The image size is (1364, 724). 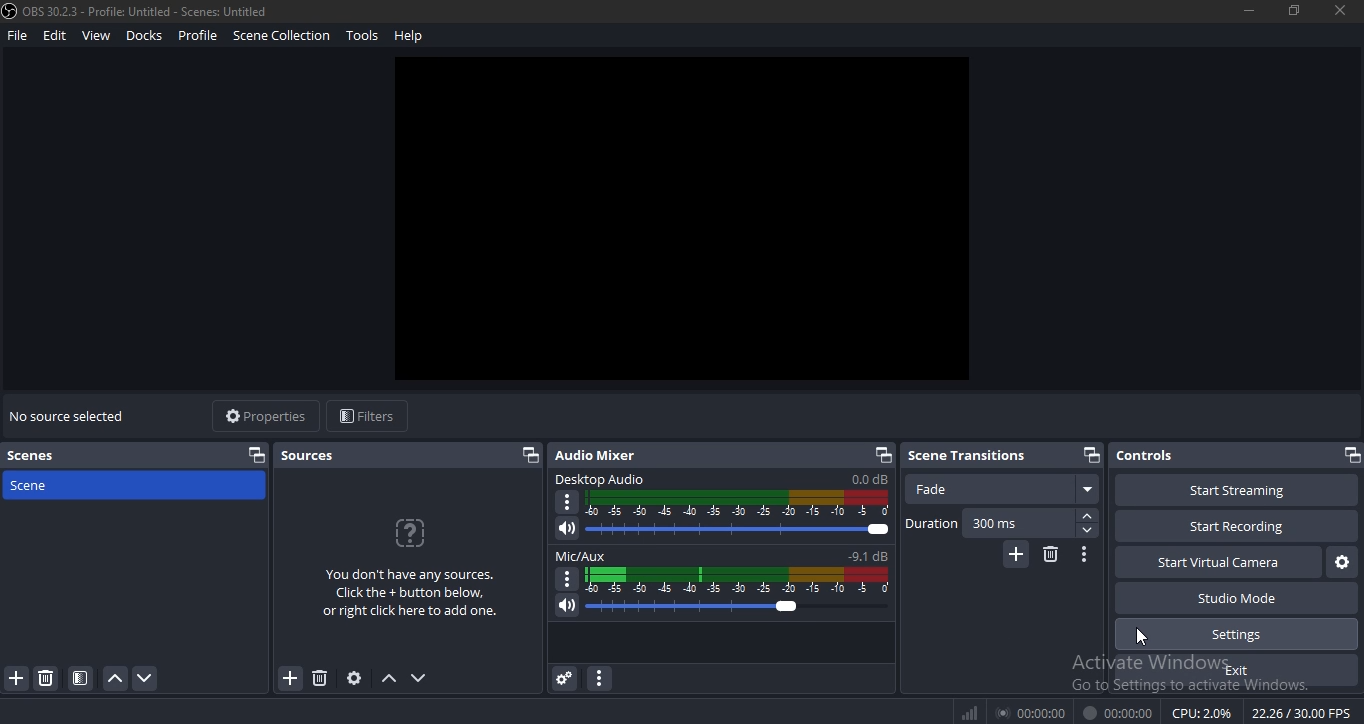 I want to click on restore, so click(x=884, y=455).